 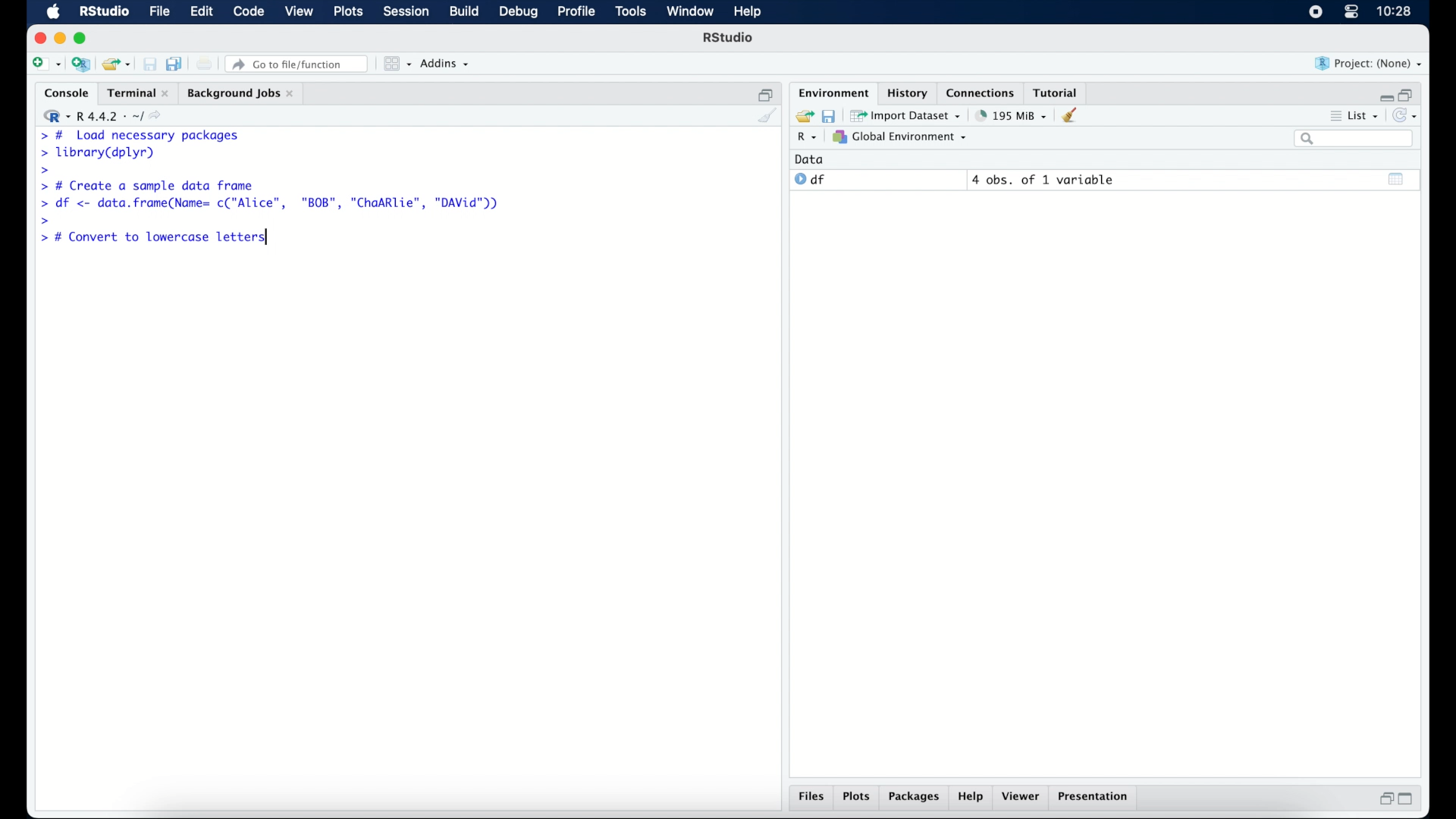 I want to click on restore down, so click(x=1384, y=800).